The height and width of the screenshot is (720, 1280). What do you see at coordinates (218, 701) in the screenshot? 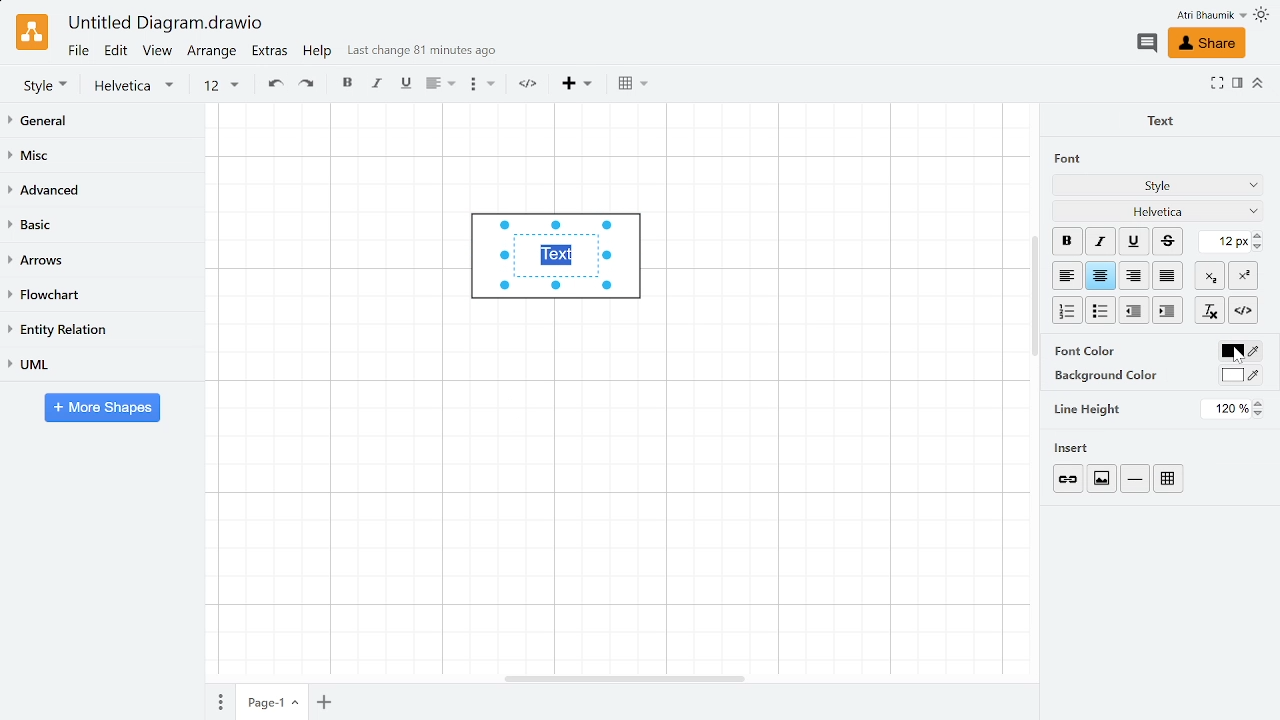
I see `Pages` at bounding box center [218, 701].